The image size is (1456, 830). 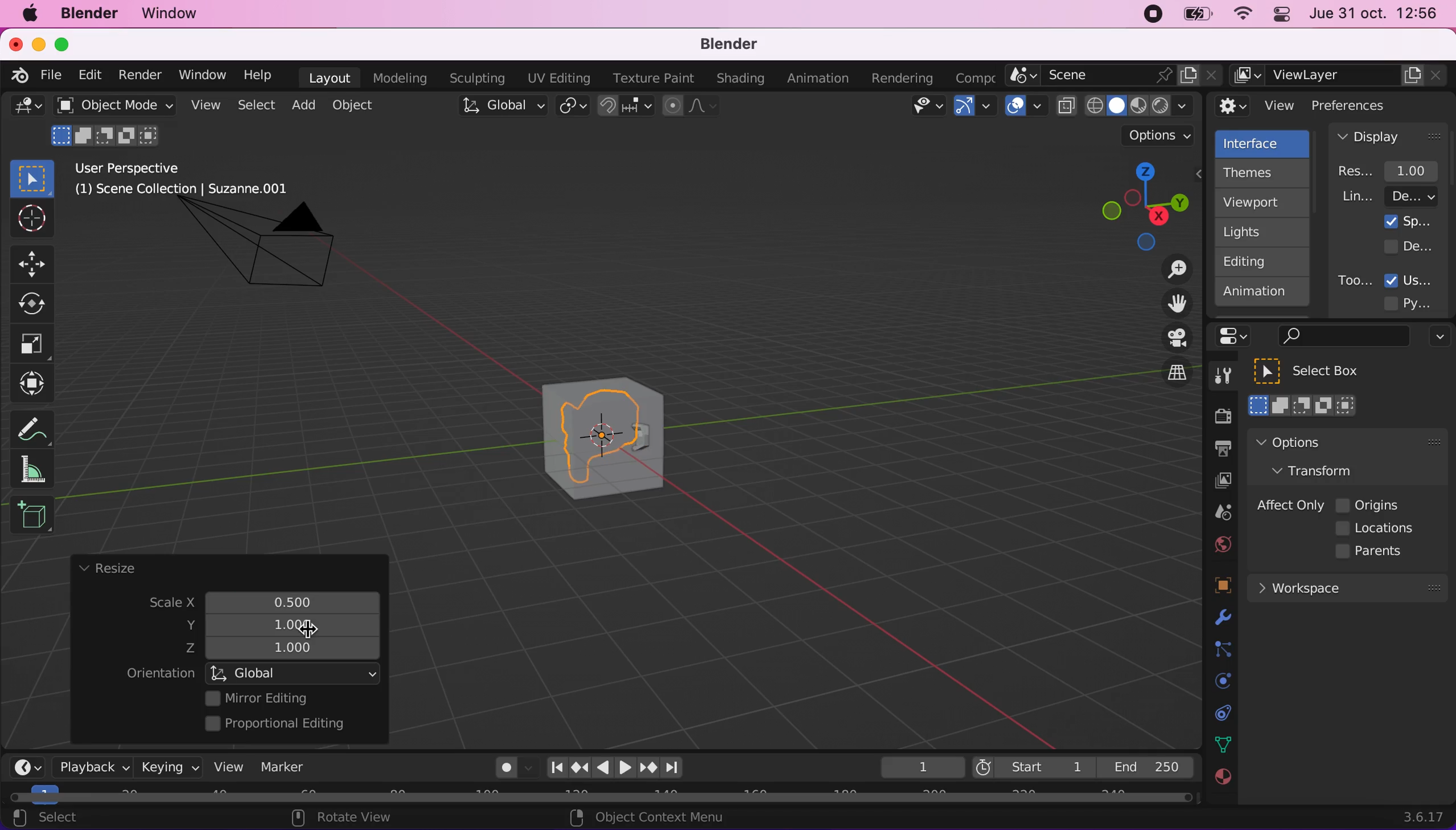 I want to click on global, so click(x=295, y=673).